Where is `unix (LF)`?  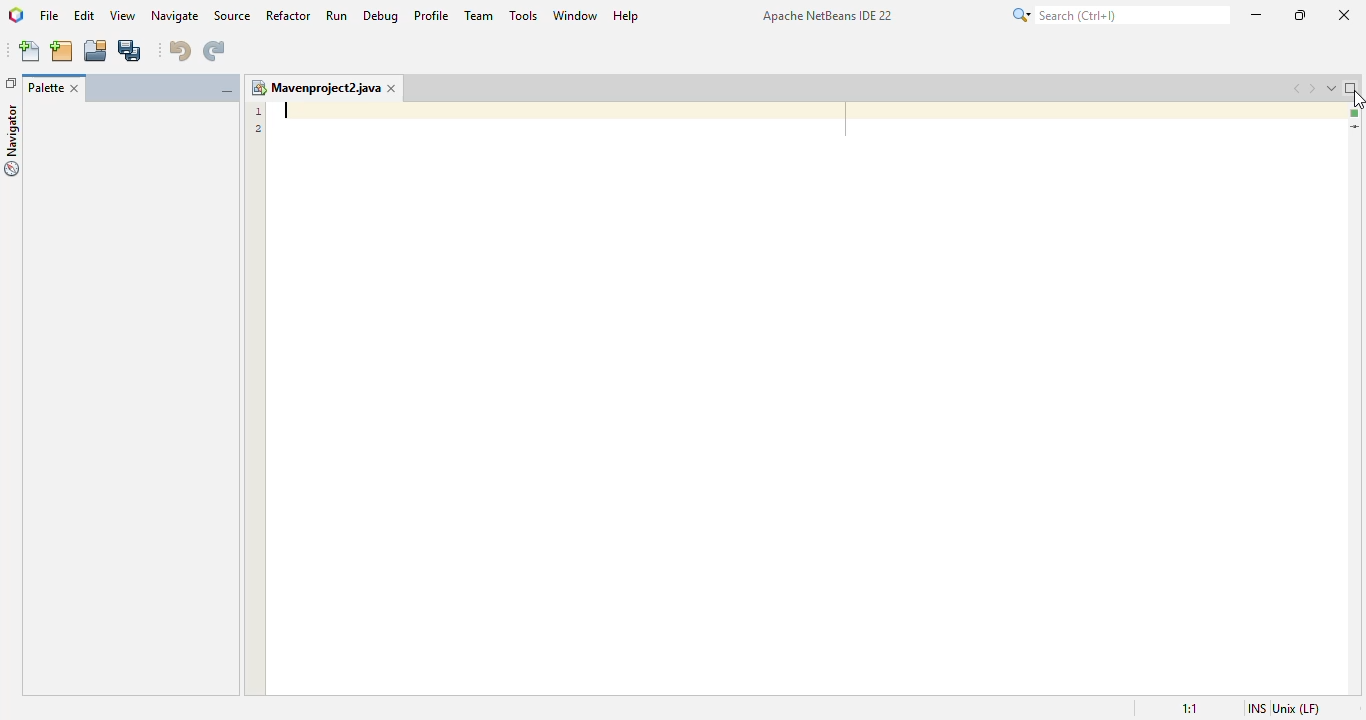 unix (LF) is located at coordinates (1297, 708).